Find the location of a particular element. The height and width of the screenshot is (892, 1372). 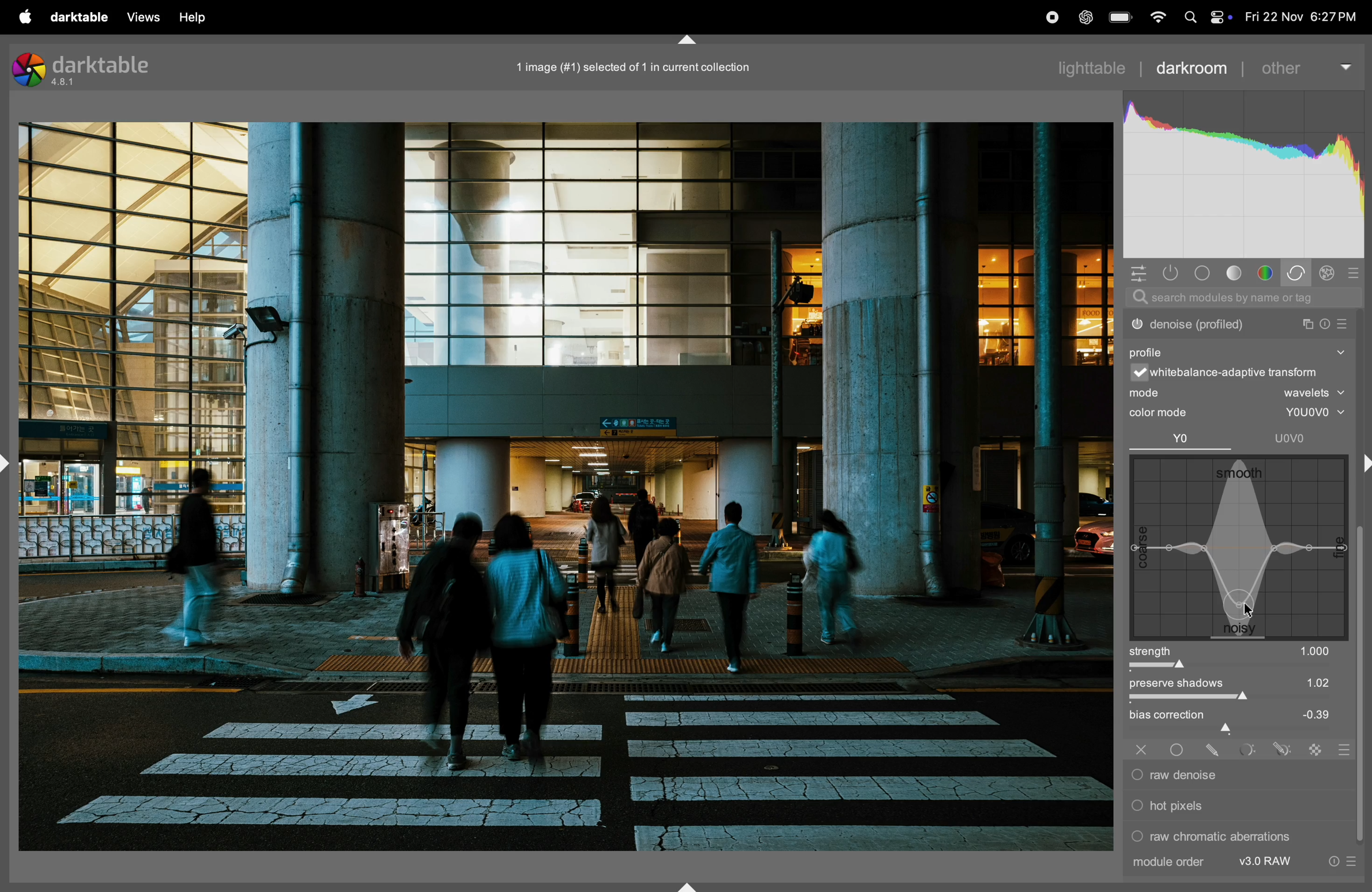

vertical scroll bar is located at coordinates (1363, 686).